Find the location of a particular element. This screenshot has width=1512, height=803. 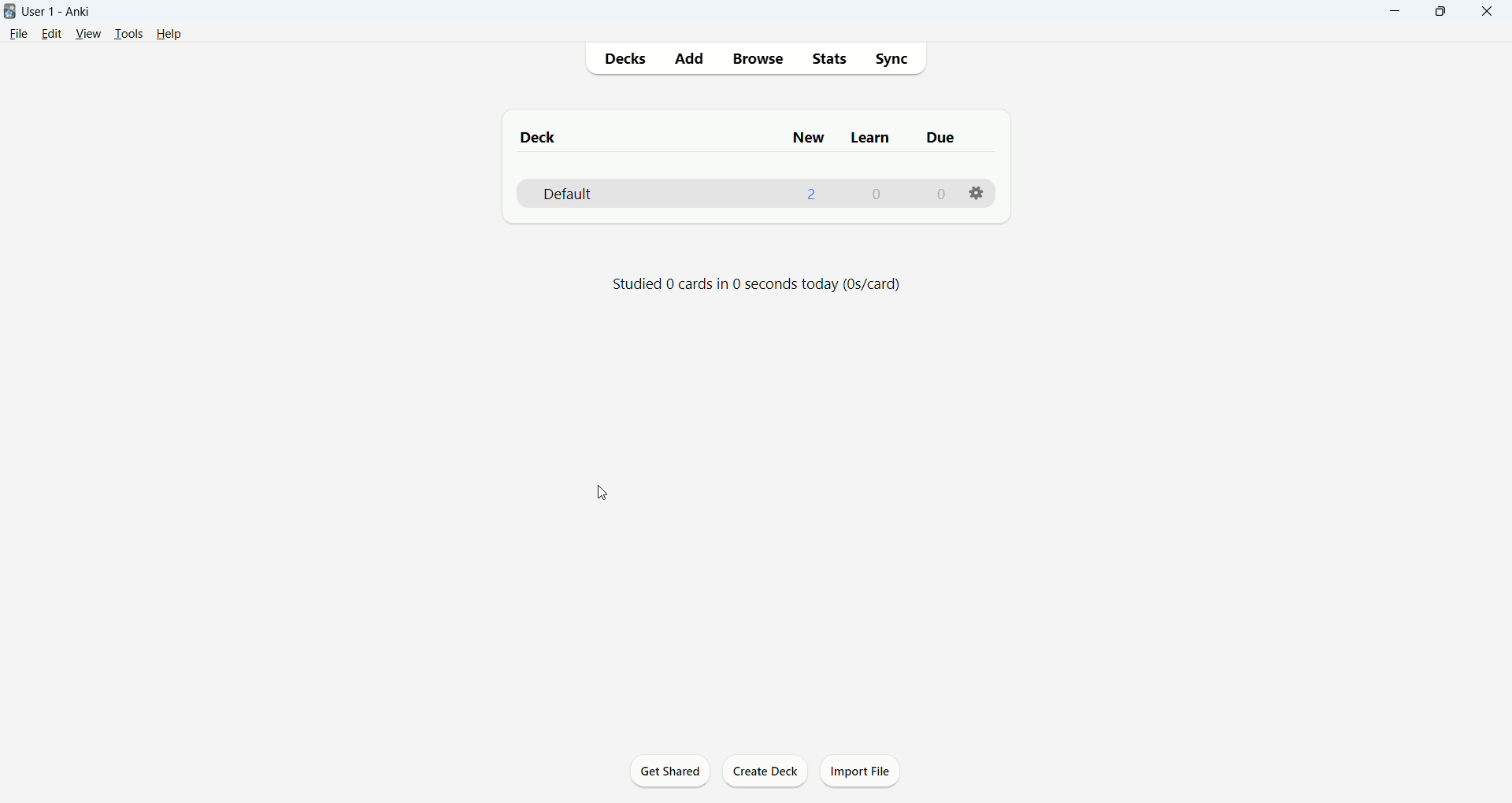

stats is located at coordinates (829, 61).